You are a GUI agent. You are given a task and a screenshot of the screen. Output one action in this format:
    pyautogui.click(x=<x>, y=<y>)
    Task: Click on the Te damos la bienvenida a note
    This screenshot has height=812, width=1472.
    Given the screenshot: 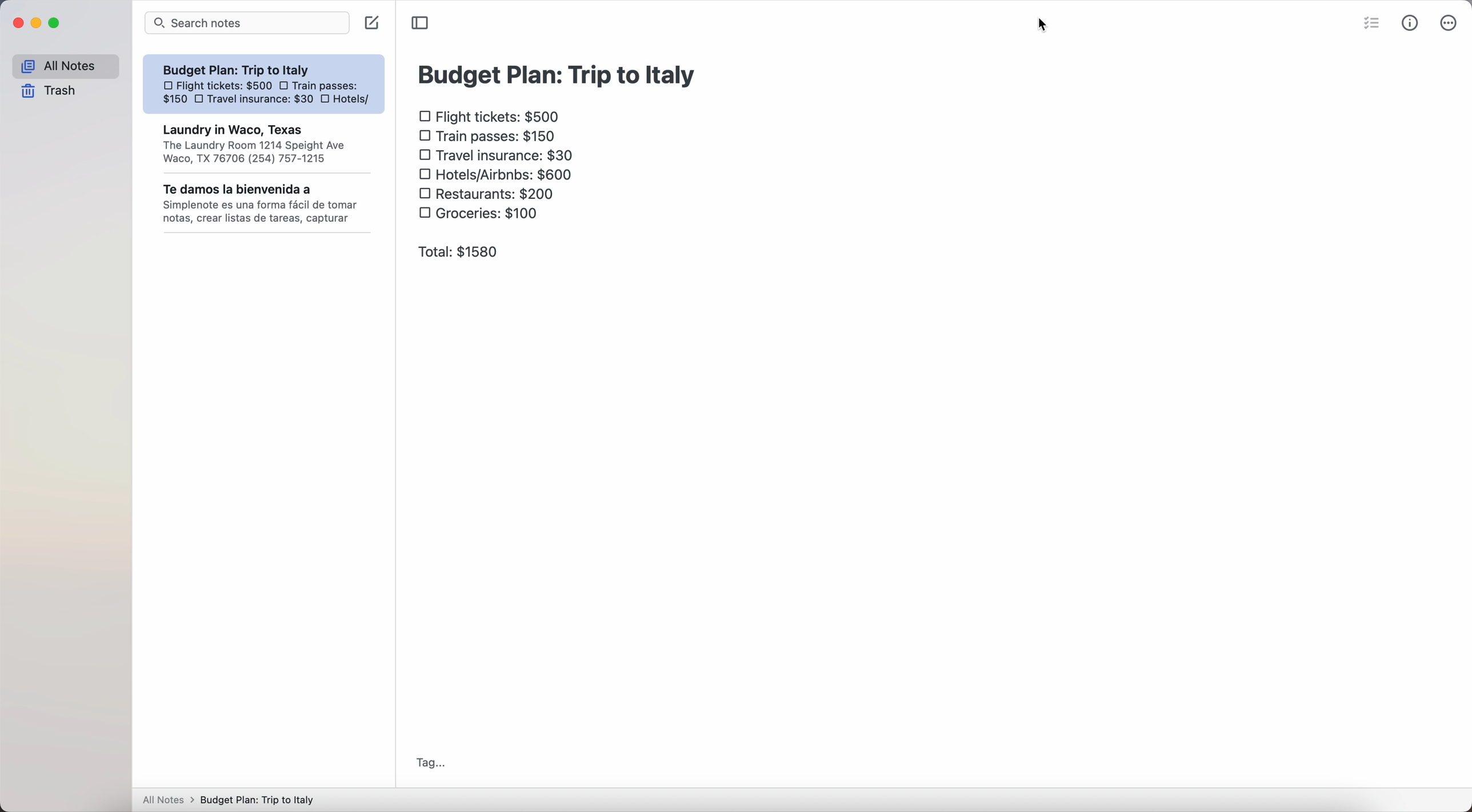 What is the action you would take?
    pyautogui.click(x=262, y=205)
    